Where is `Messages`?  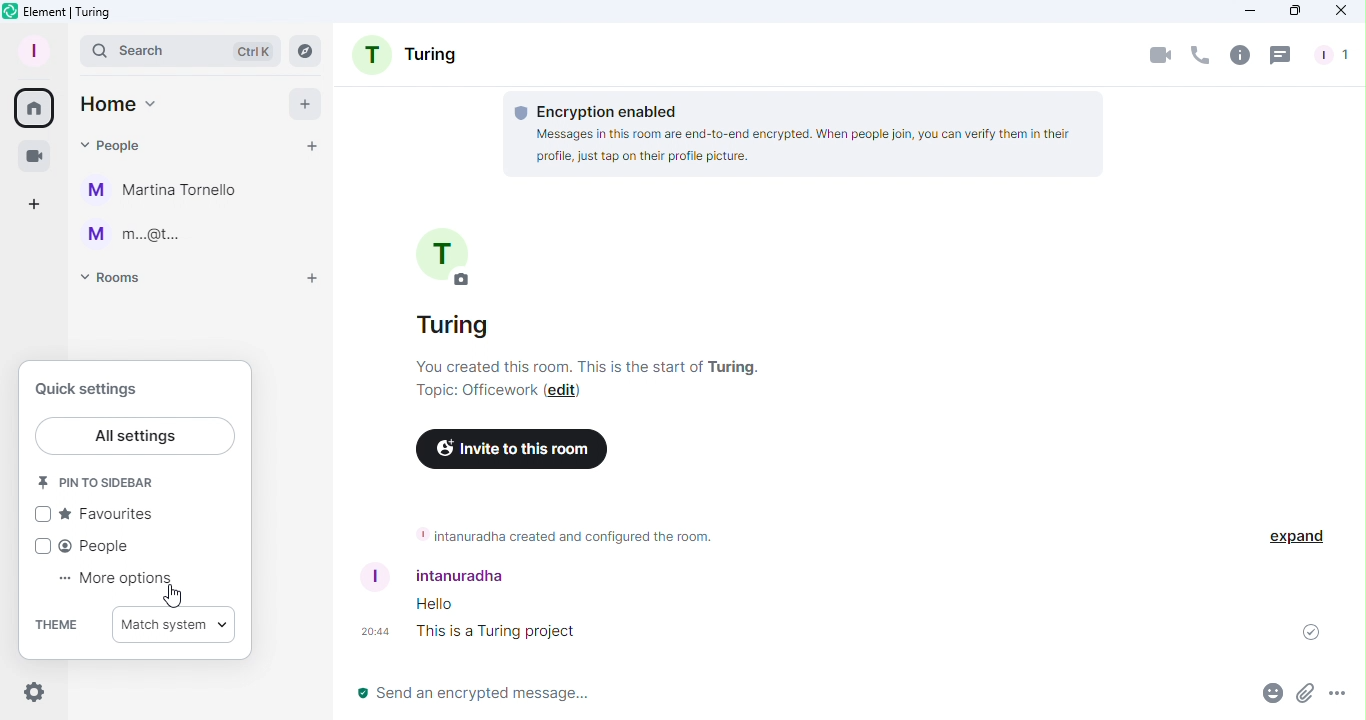
Messages is located at coordinates (494, 619).